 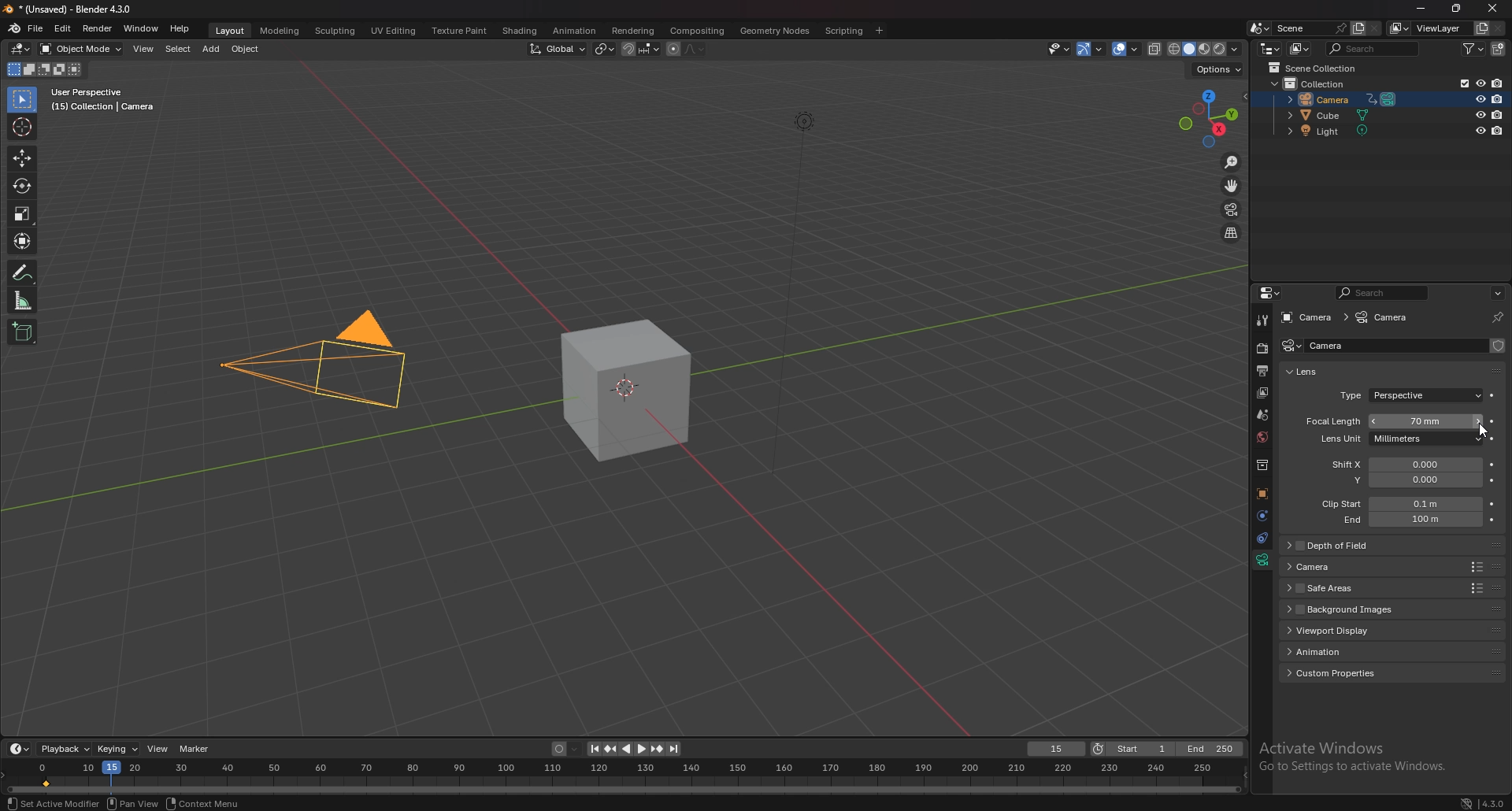 I want to click on rendering, so click(x=633, y=31).